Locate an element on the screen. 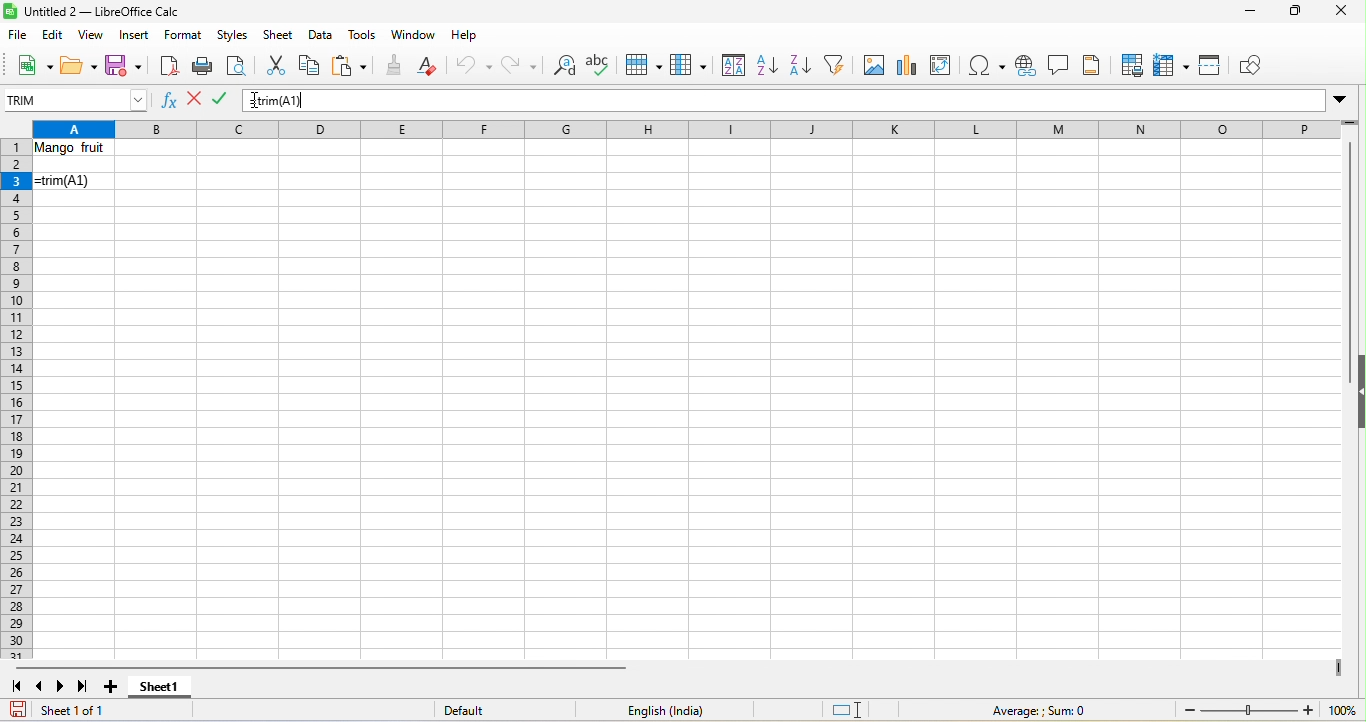 This screenshot has height=722, width=1366. sort ascending is located at coordinates (765, 67).